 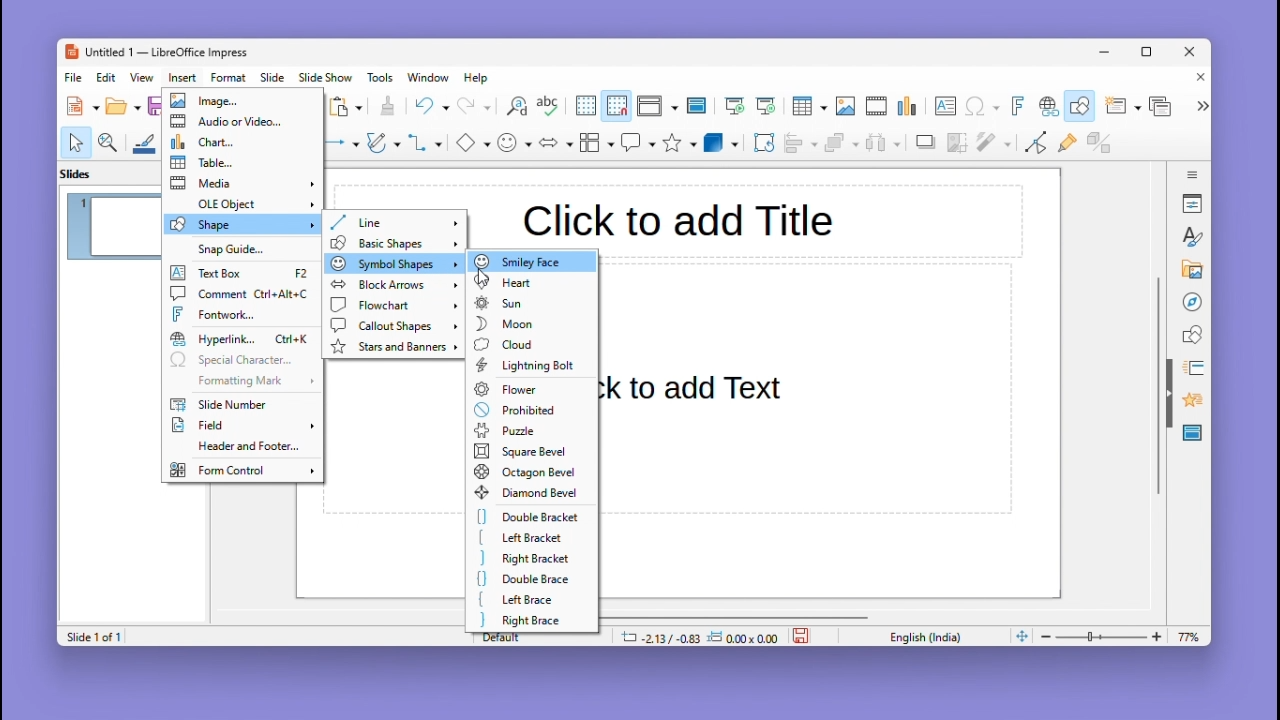 What do you see at coordinates (145, 140) in the screenshot?
I see `Brush` at bounding box center [145, 140].